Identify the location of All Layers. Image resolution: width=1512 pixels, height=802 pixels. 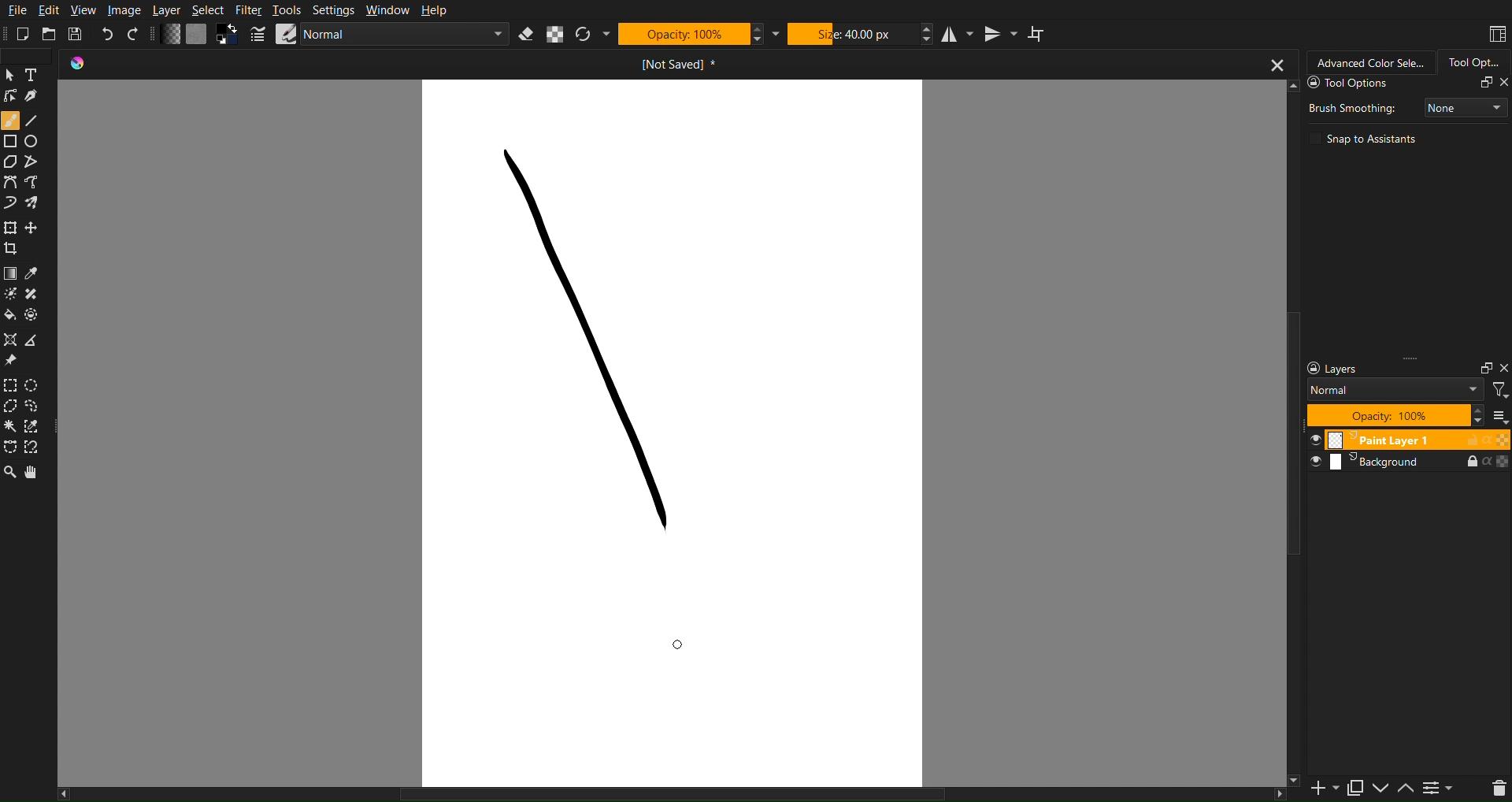
(1499, 414).